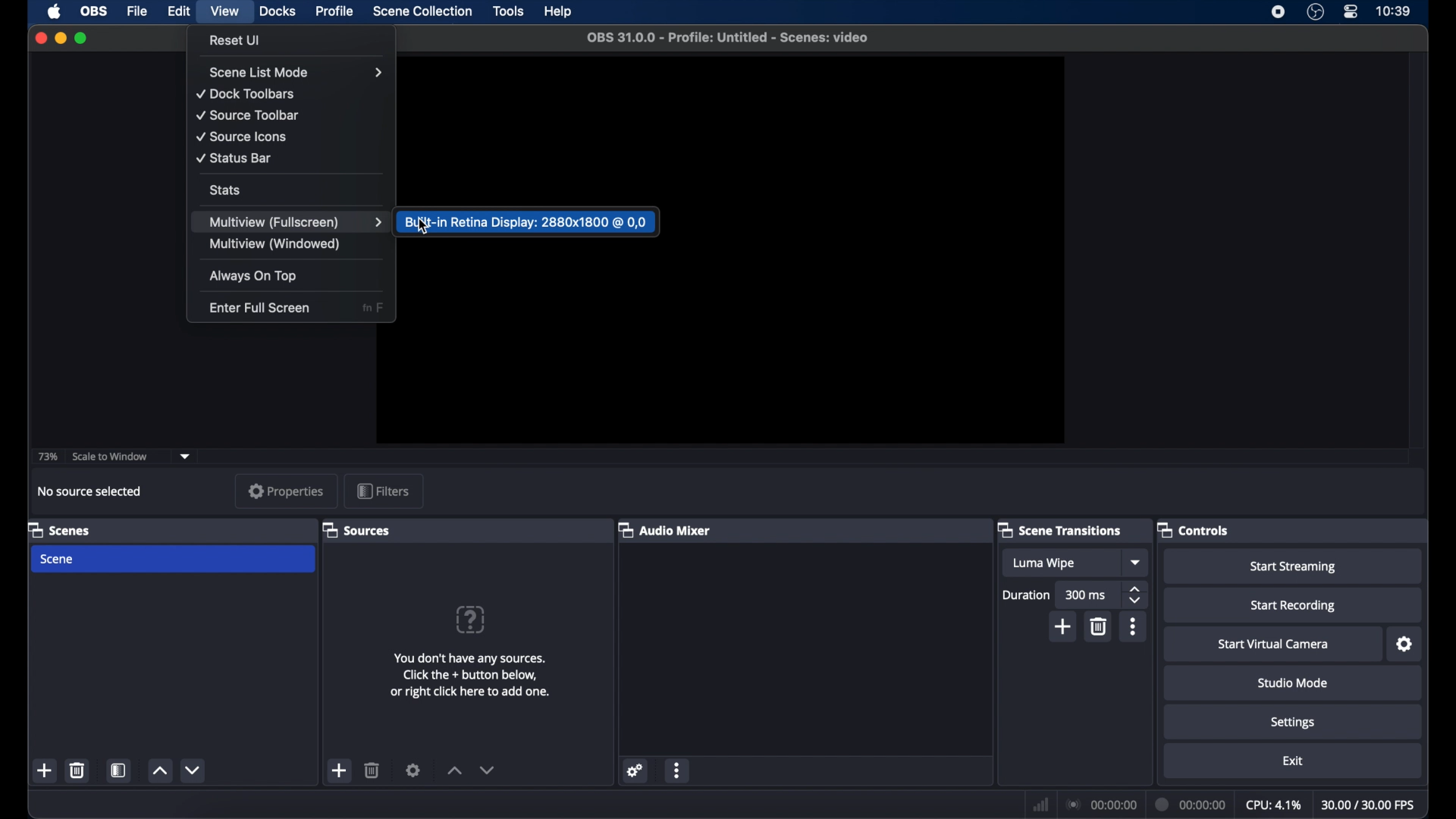 This screenshot has width=1456, height=819. Describe the element at coordinates (1097, 626) in the screenshot. I see `delete` at that location.